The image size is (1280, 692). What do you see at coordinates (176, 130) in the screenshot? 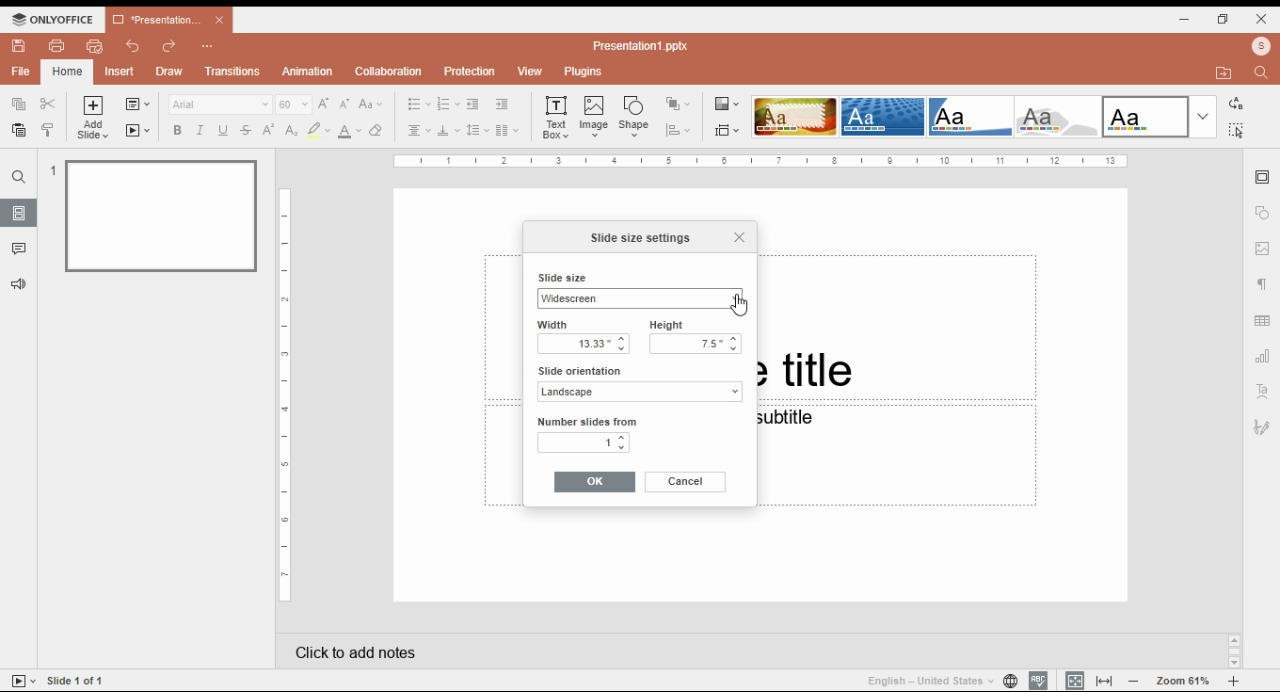
I see `bold` at bounding box center [176, 130].